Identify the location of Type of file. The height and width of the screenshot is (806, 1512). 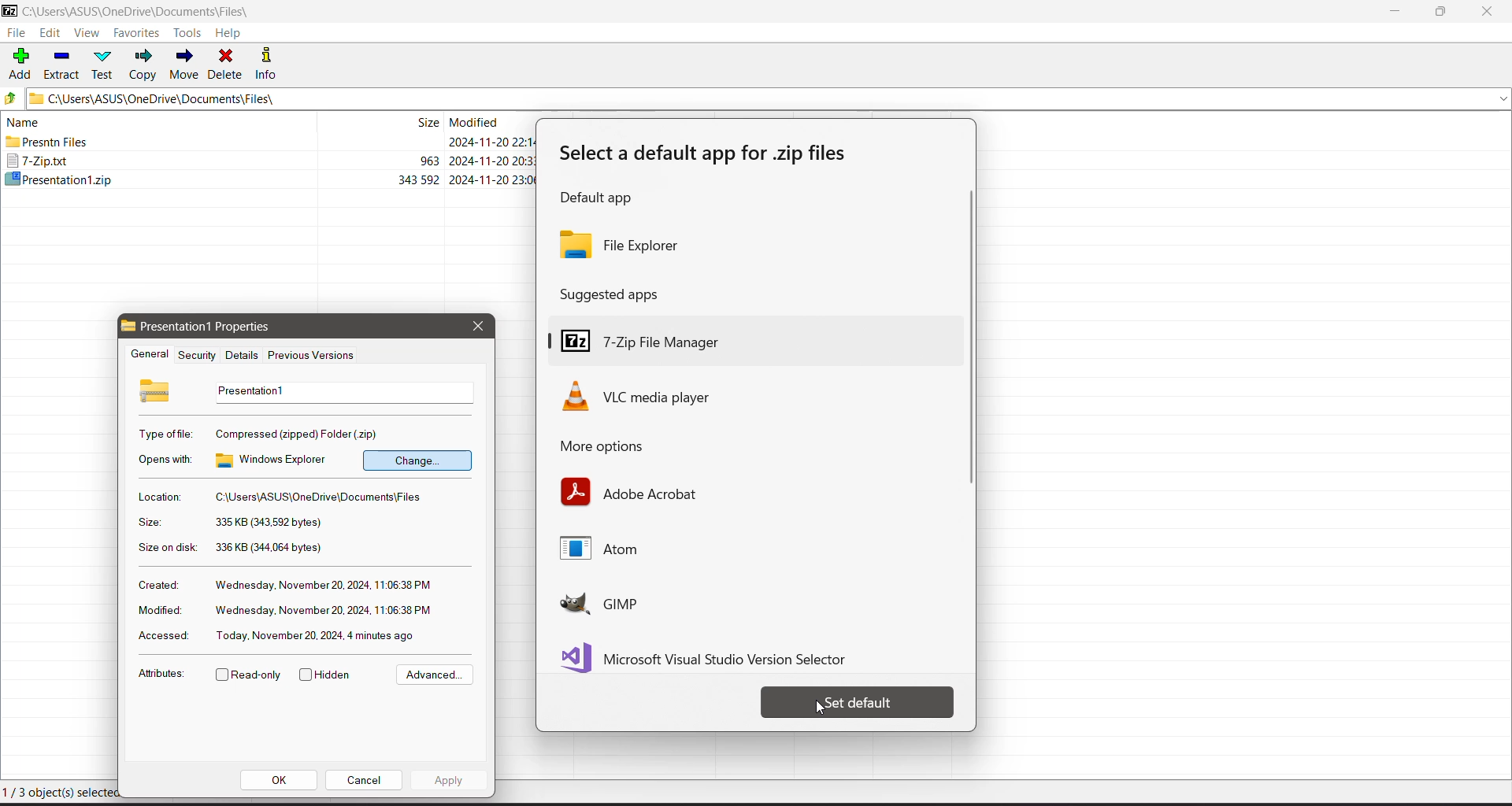
(167, 434).